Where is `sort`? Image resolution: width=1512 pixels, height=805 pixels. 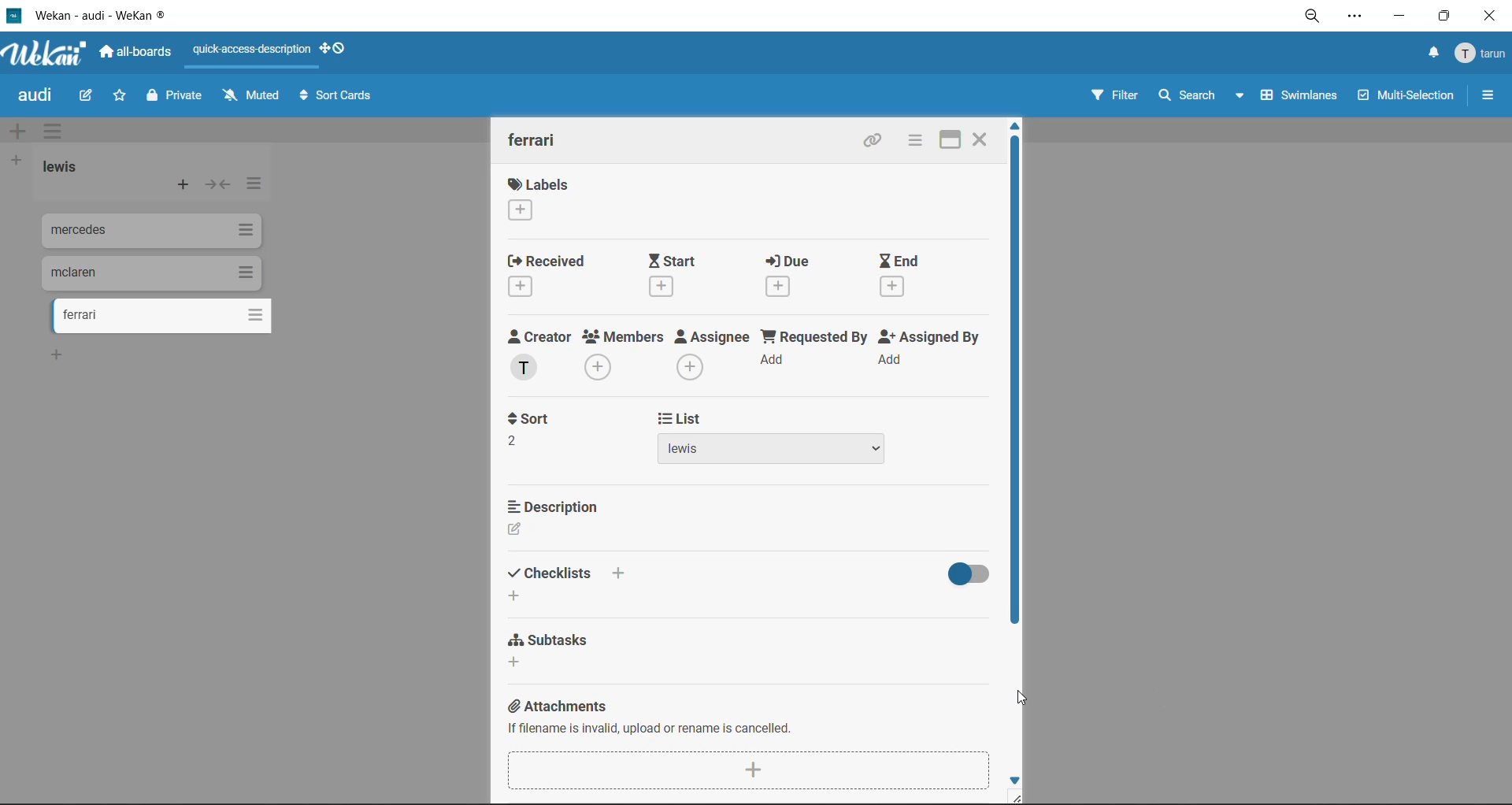
sort is located at coordinates (541, 432).